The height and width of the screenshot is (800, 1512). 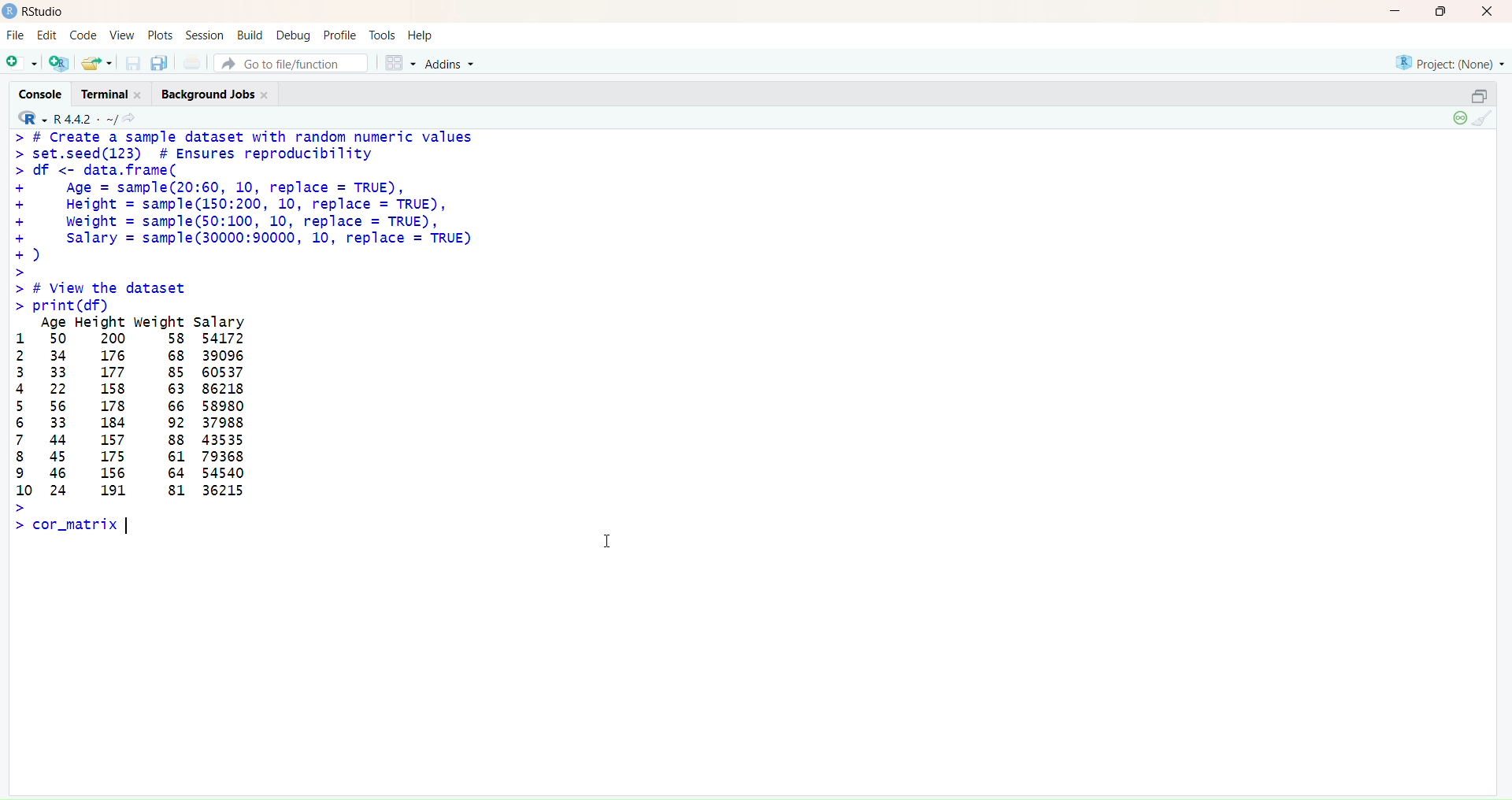 What do you see at coordinates (1441, 12) in the screenshot?
I see `Maximize` at bounding box center [1441, 12].